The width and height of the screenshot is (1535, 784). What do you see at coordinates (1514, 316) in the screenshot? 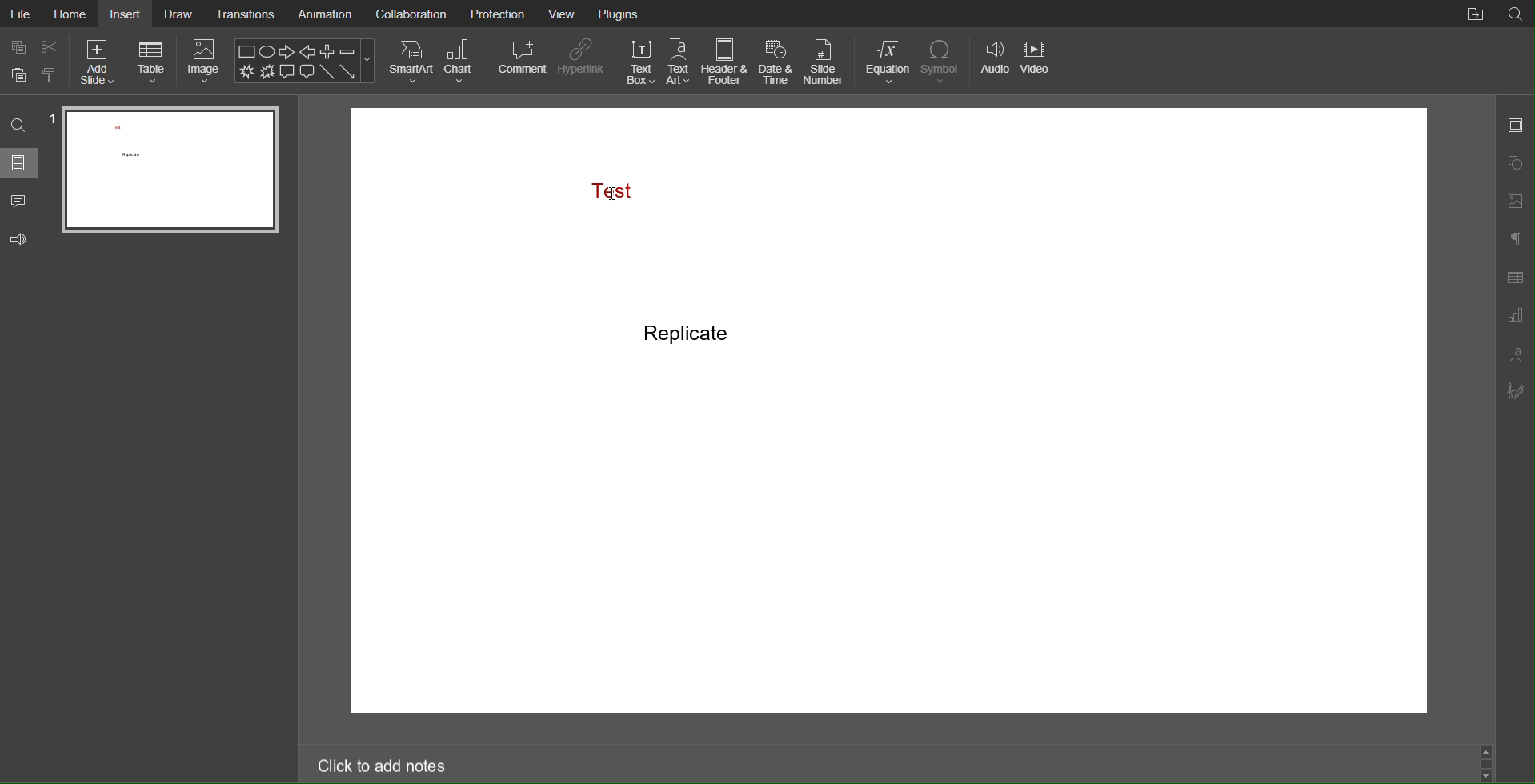
I see `Graph Settings` at bounding box center [1514, 316].